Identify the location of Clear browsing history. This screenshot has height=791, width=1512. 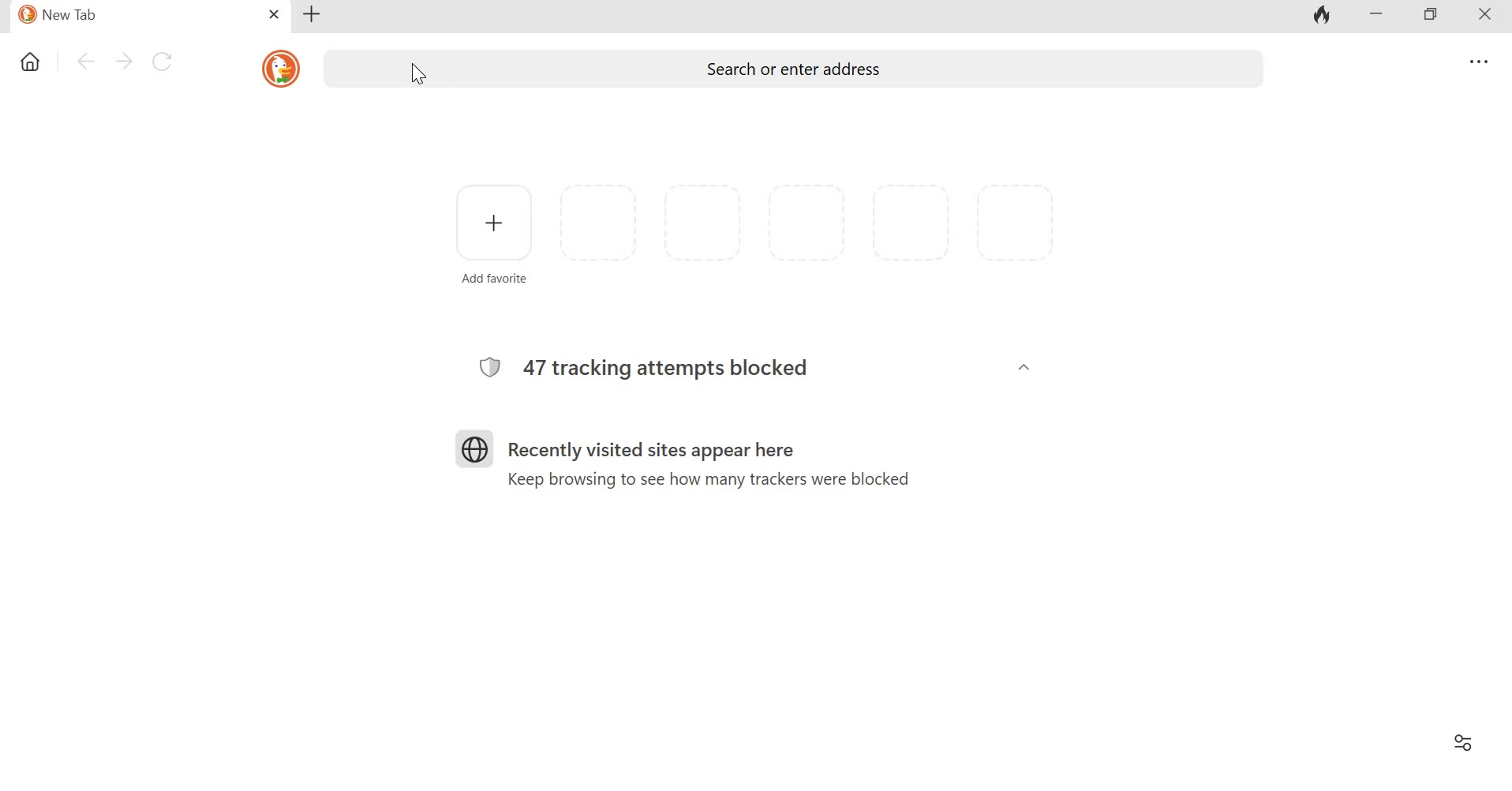
(1319, 14).